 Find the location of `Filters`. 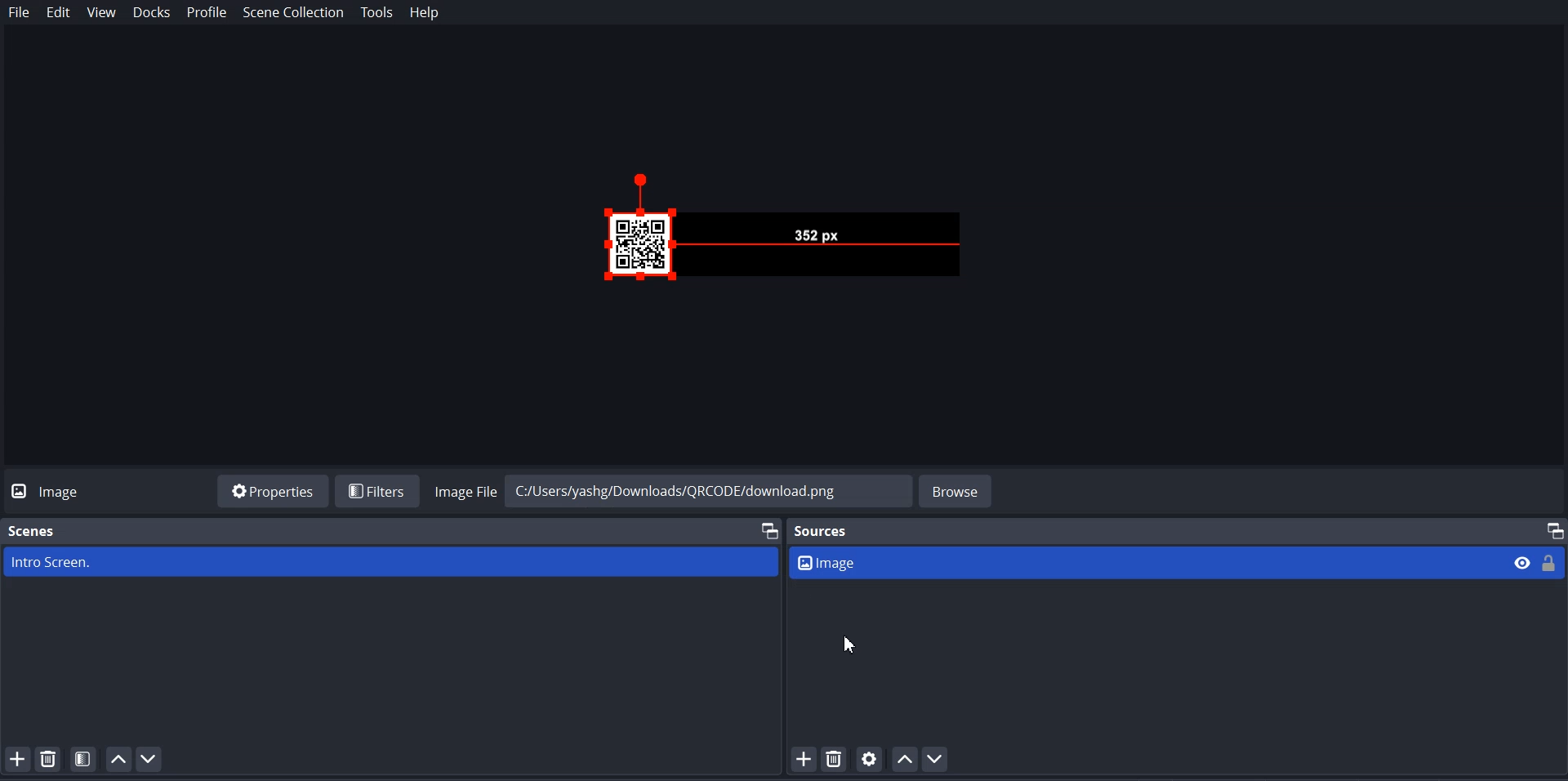

Filters is located at coordinates (376, 490).